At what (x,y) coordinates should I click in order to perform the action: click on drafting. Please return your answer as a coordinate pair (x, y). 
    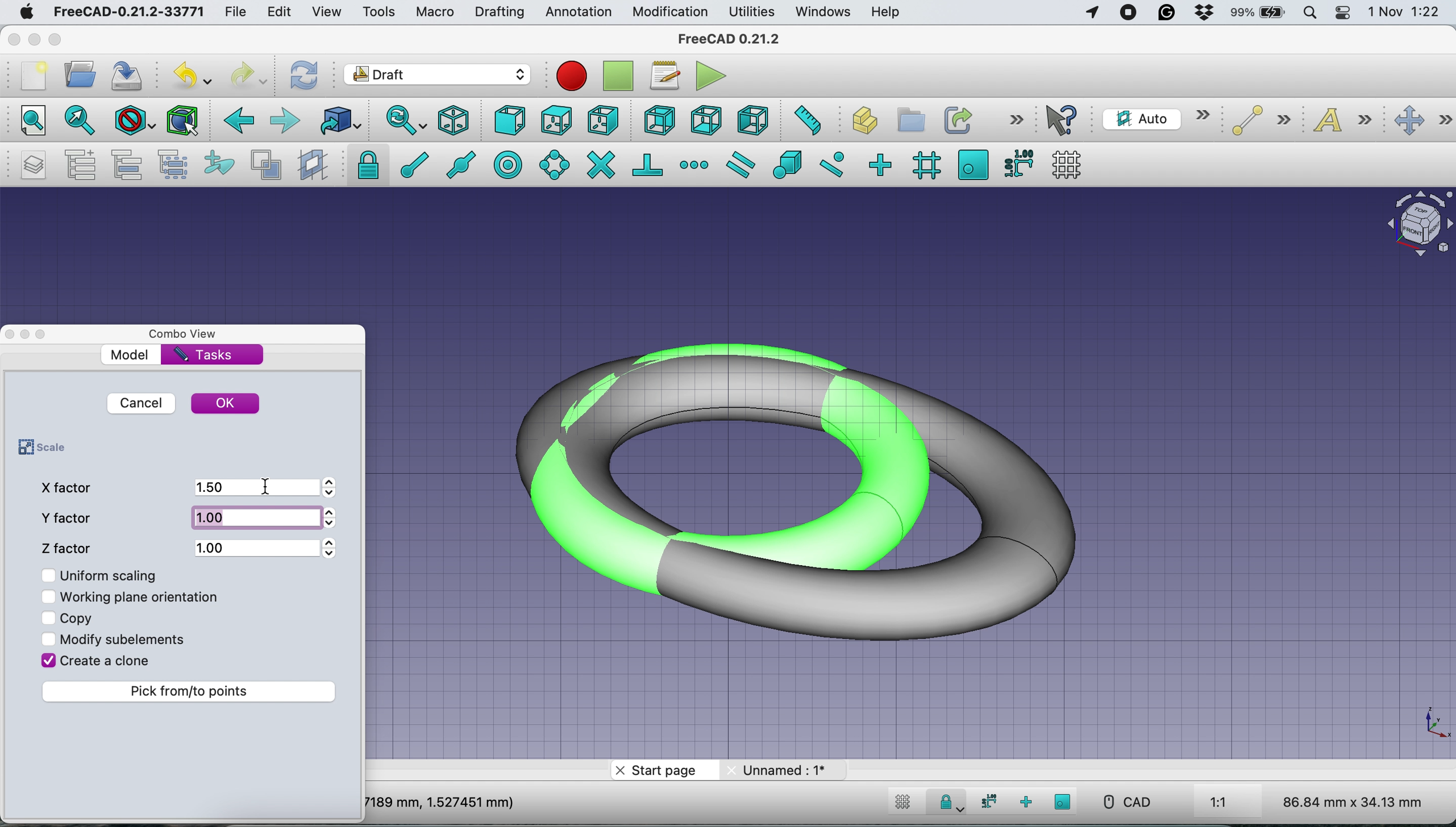
    Looking at the image, I should click on (499, 13).